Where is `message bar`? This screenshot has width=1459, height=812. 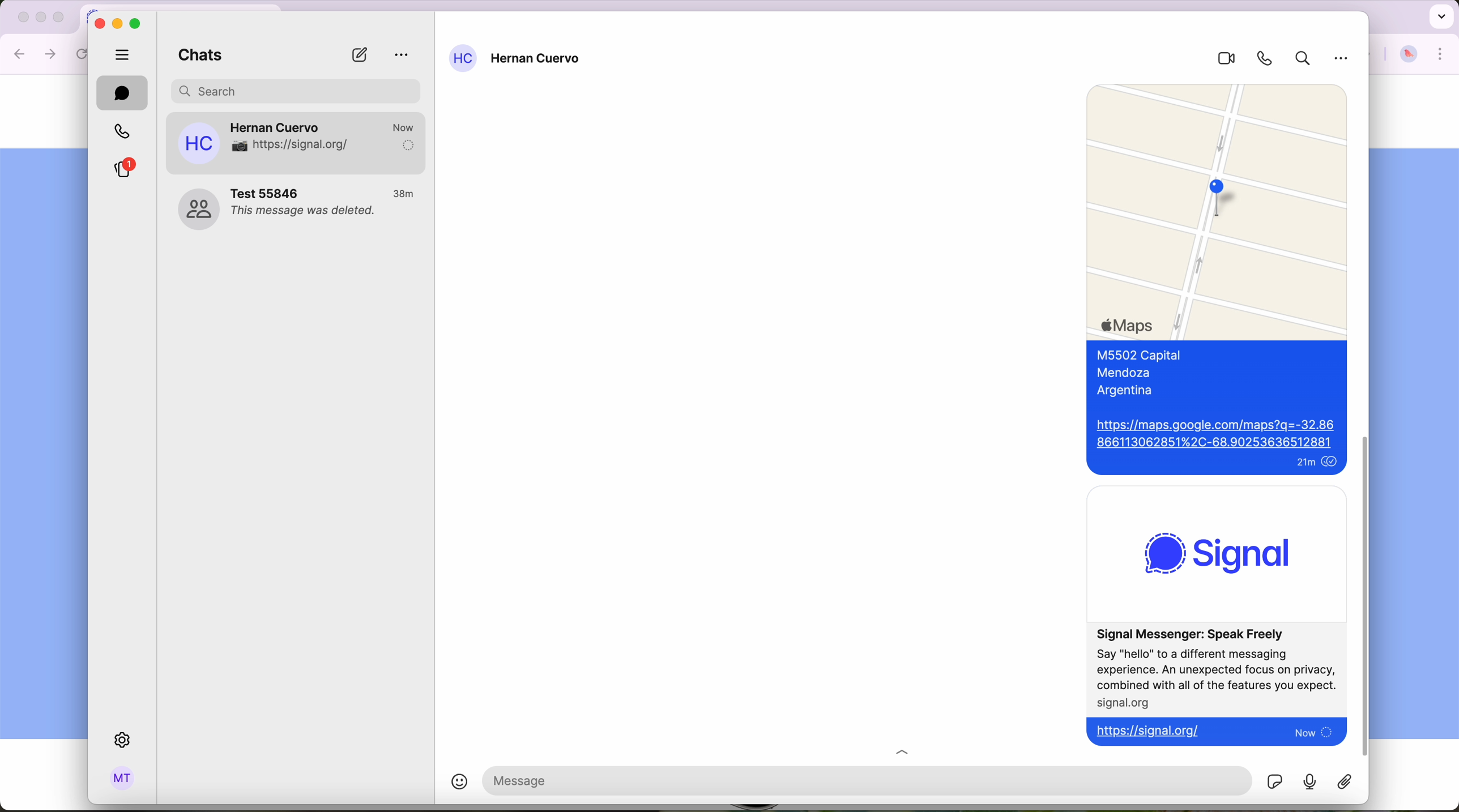
message bar is located at coordinates (780, 780).